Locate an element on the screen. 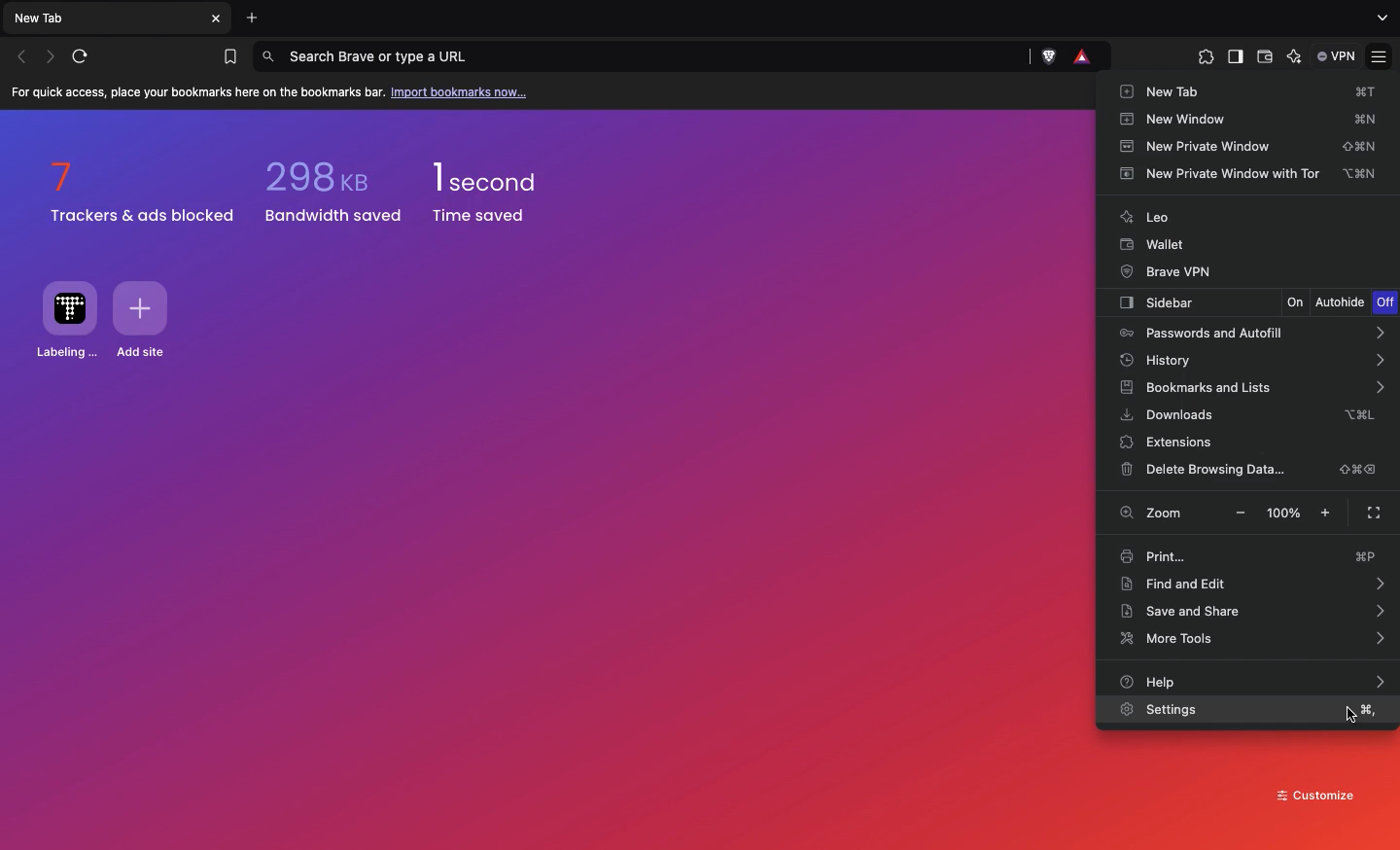  Passwords and autofill is located at coordinates (1248, 332).